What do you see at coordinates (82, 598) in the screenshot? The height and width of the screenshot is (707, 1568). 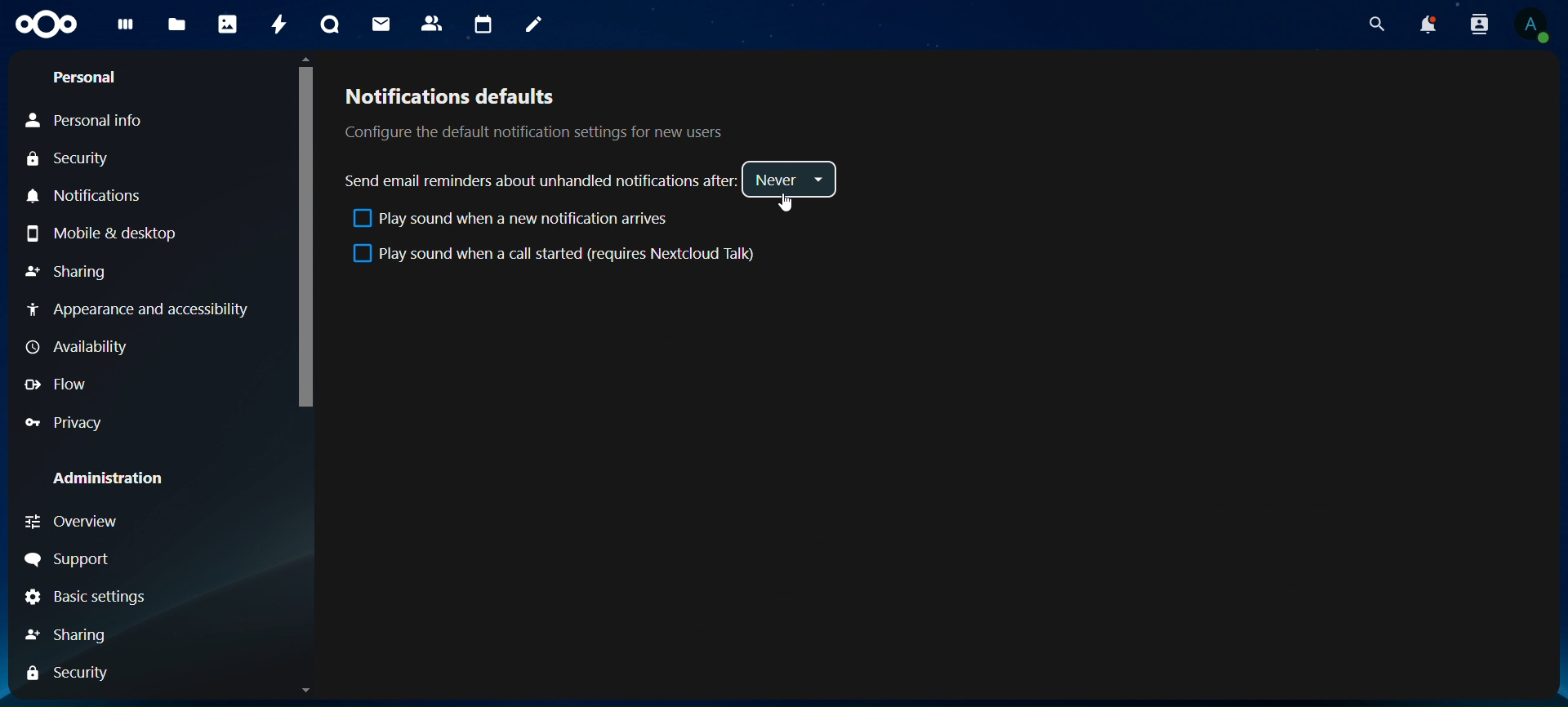 I see `Basic settings` at bounding box center [82, 598].